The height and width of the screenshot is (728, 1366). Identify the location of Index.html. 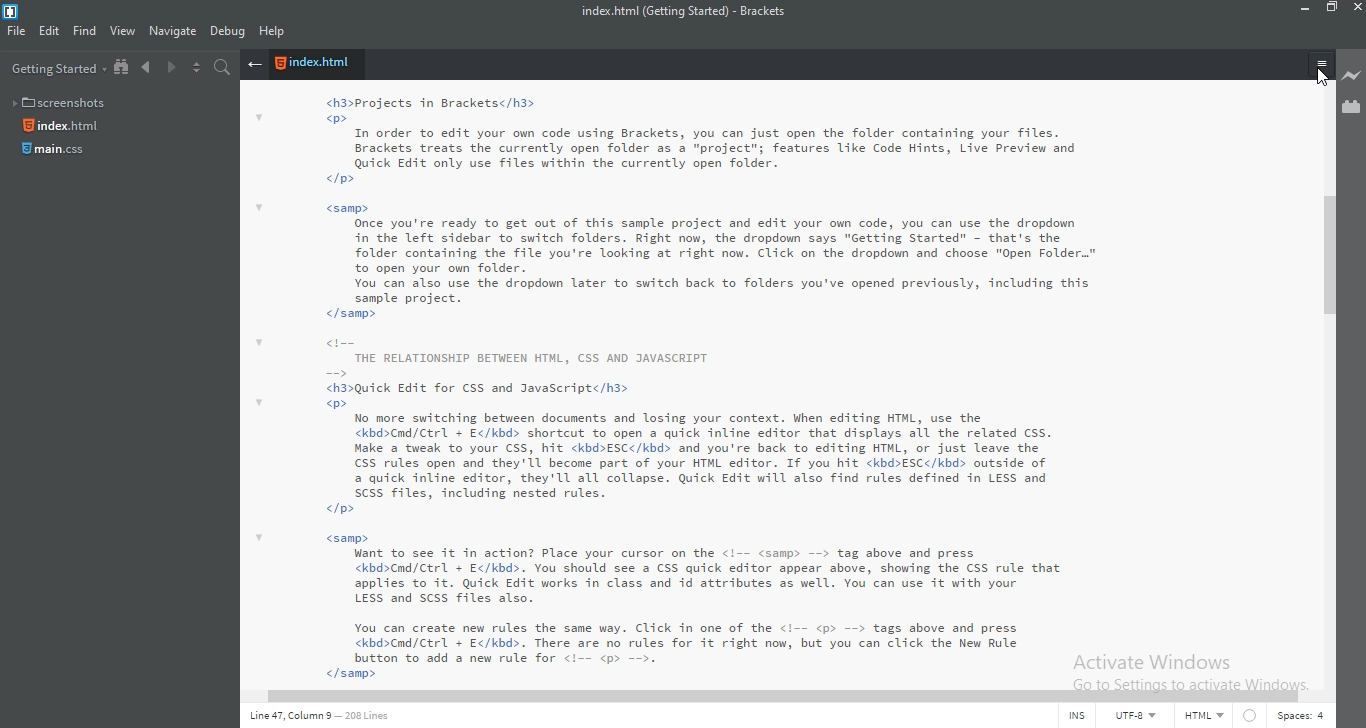
(64, 126).